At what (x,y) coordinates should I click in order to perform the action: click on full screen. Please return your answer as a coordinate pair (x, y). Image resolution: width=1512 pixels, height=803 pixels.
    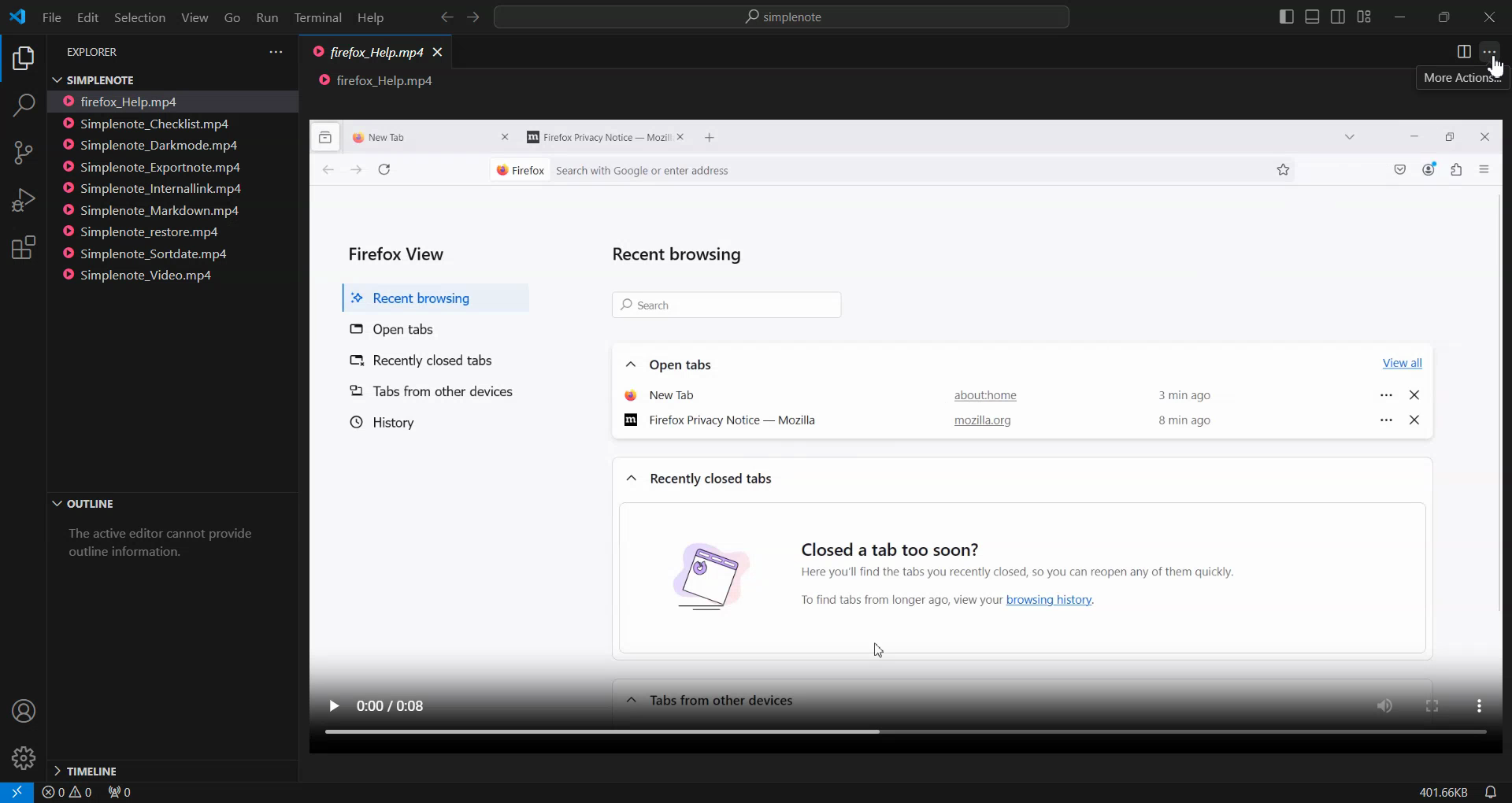
    Looking at the image, I should click on (1433, 705).